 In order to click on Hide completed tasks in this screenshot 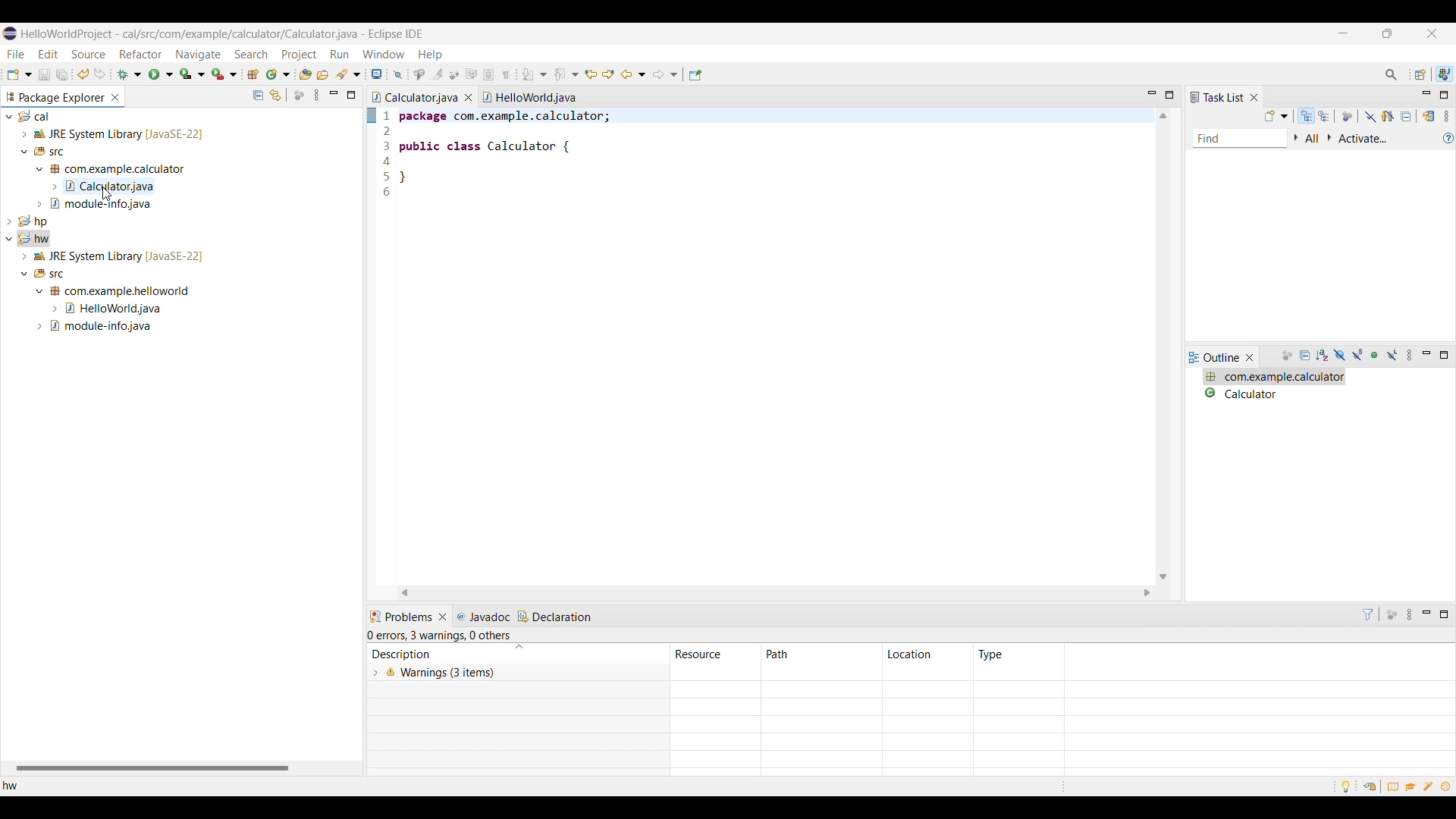, I will do `click(1370, 117)`.